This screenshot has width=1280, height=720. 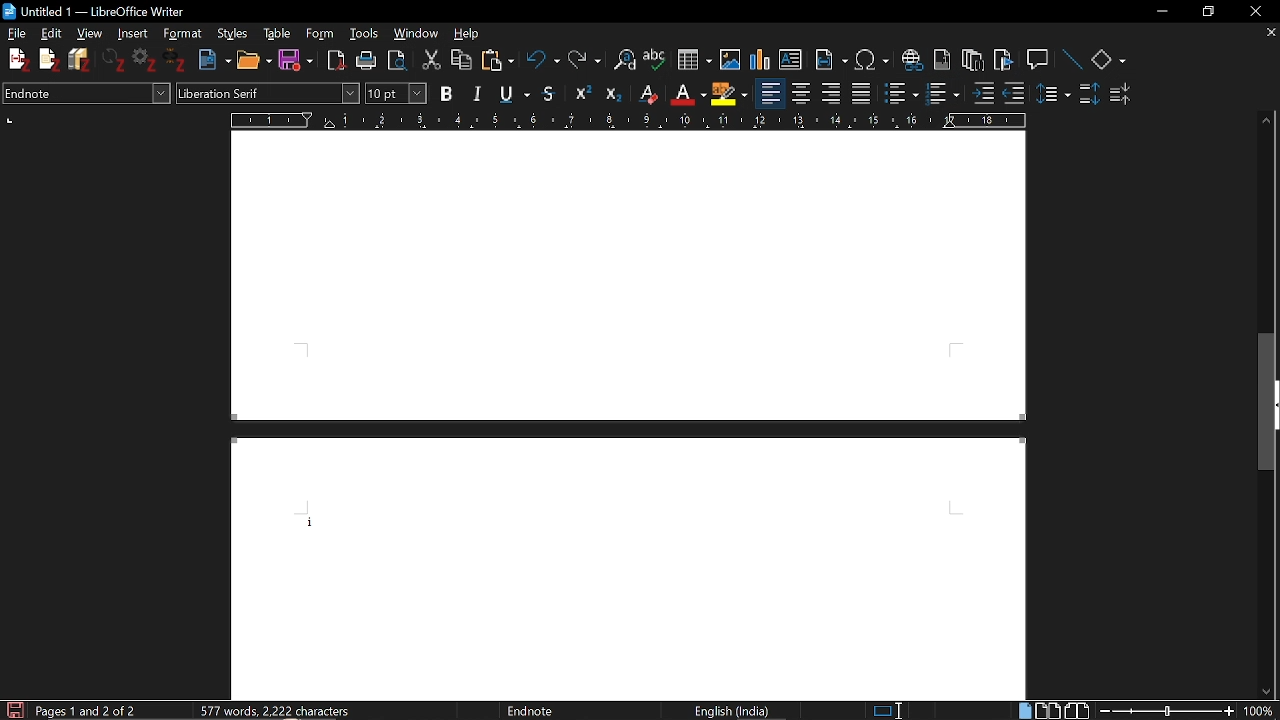 What do you see at coordinates (462, 60) in the screenshot?
I see `Copy` at bounding box center [462, 60].